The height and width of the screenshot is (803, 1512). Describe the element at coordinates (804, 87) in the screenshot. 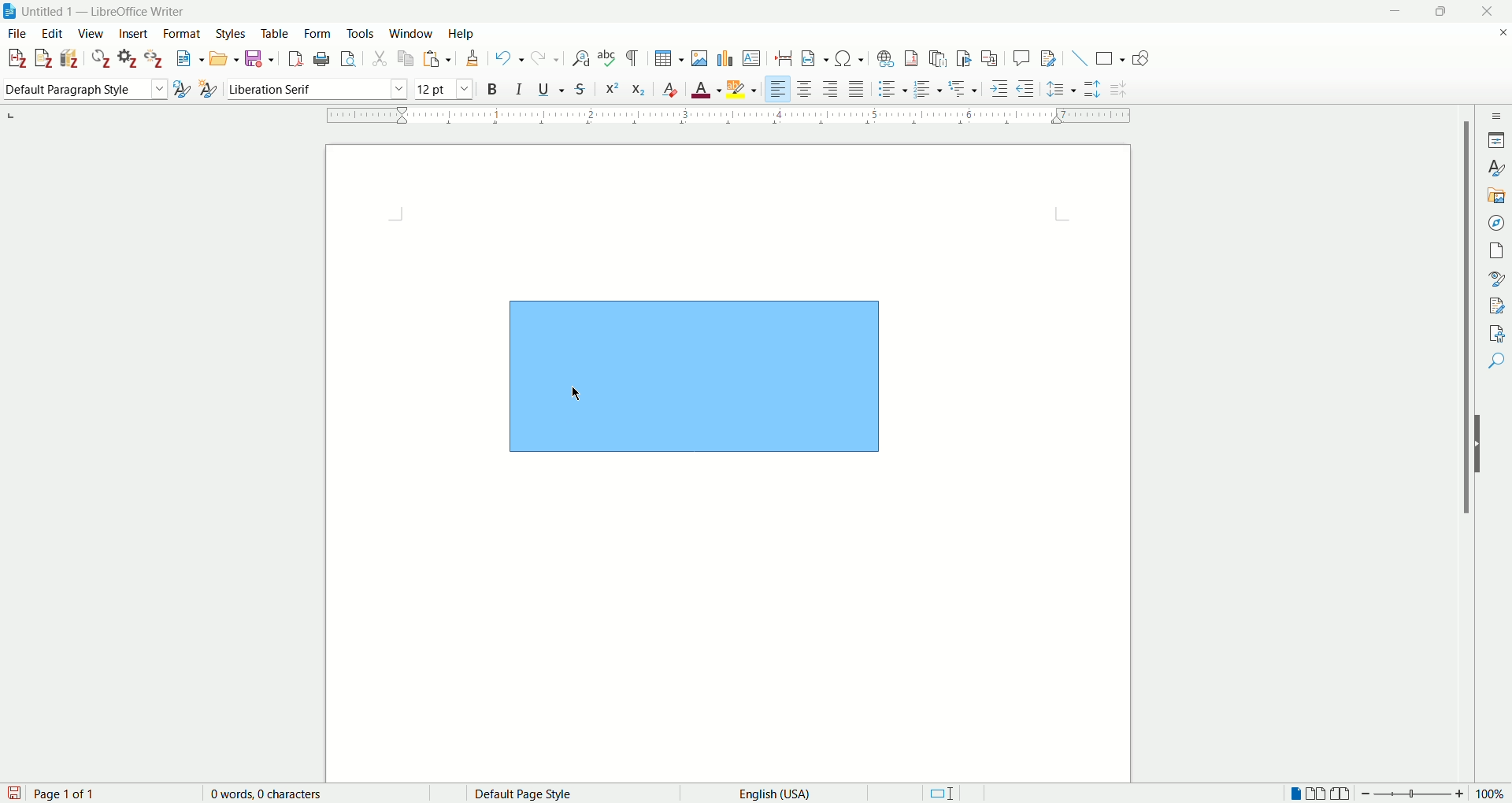

I see `align center` at that location.